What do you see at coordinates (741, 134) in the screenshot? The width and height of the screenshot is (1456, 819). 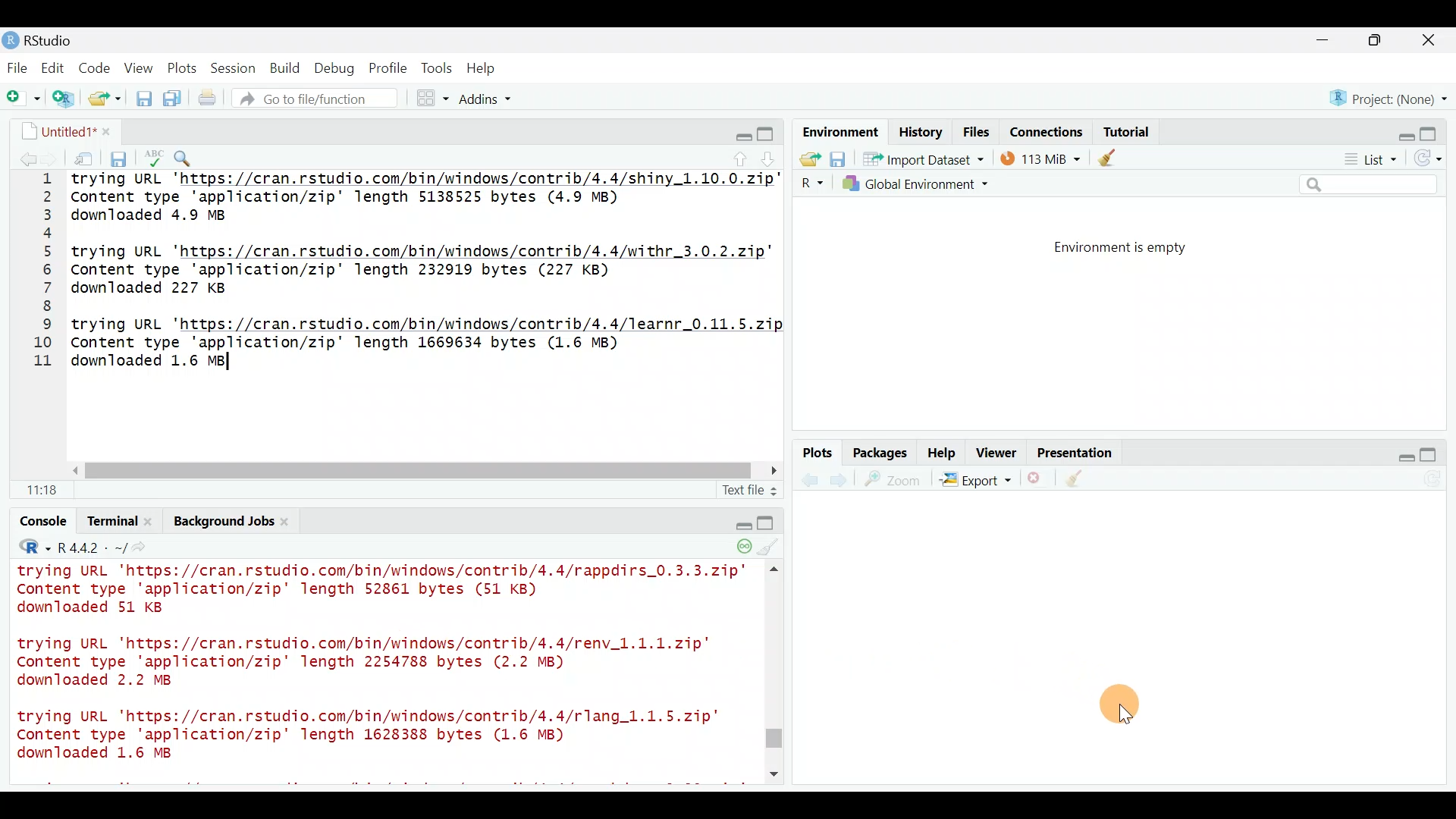 I see `restore down` at bounding box center [741, 134].